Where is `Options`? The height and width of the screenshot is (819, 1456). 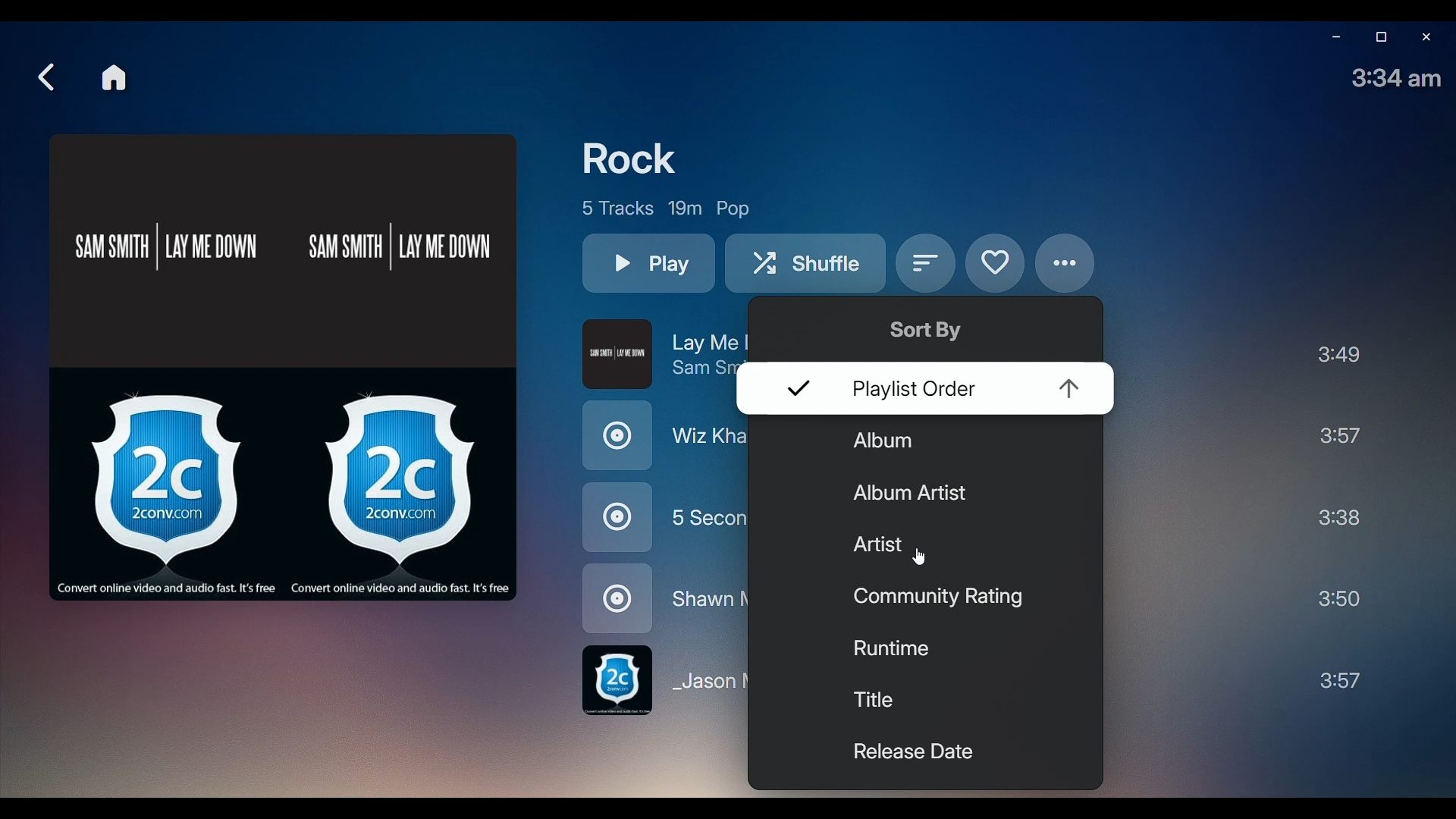 Options is located at coordinates (1067, 263).